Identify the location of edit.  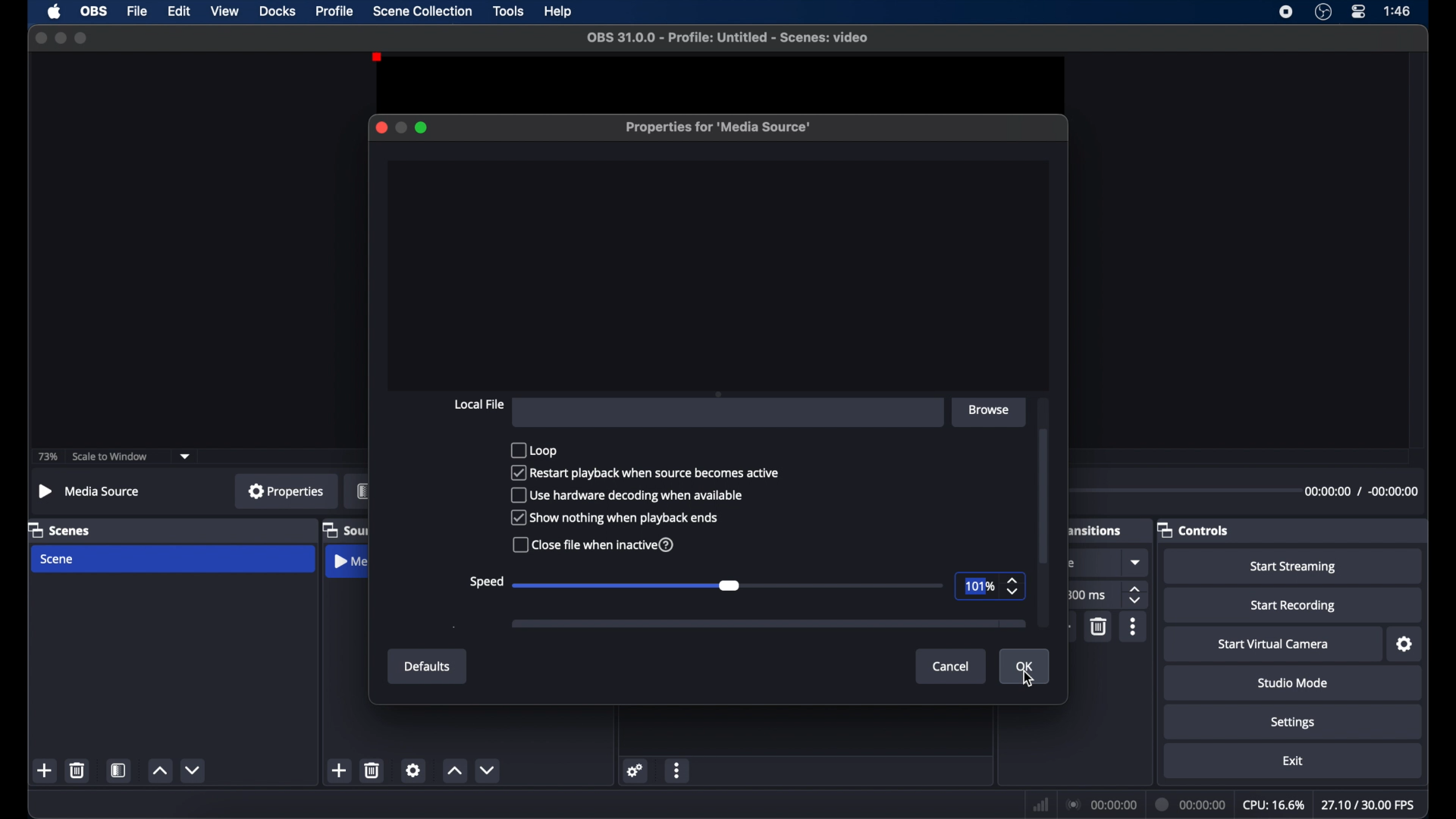
(178, 12).